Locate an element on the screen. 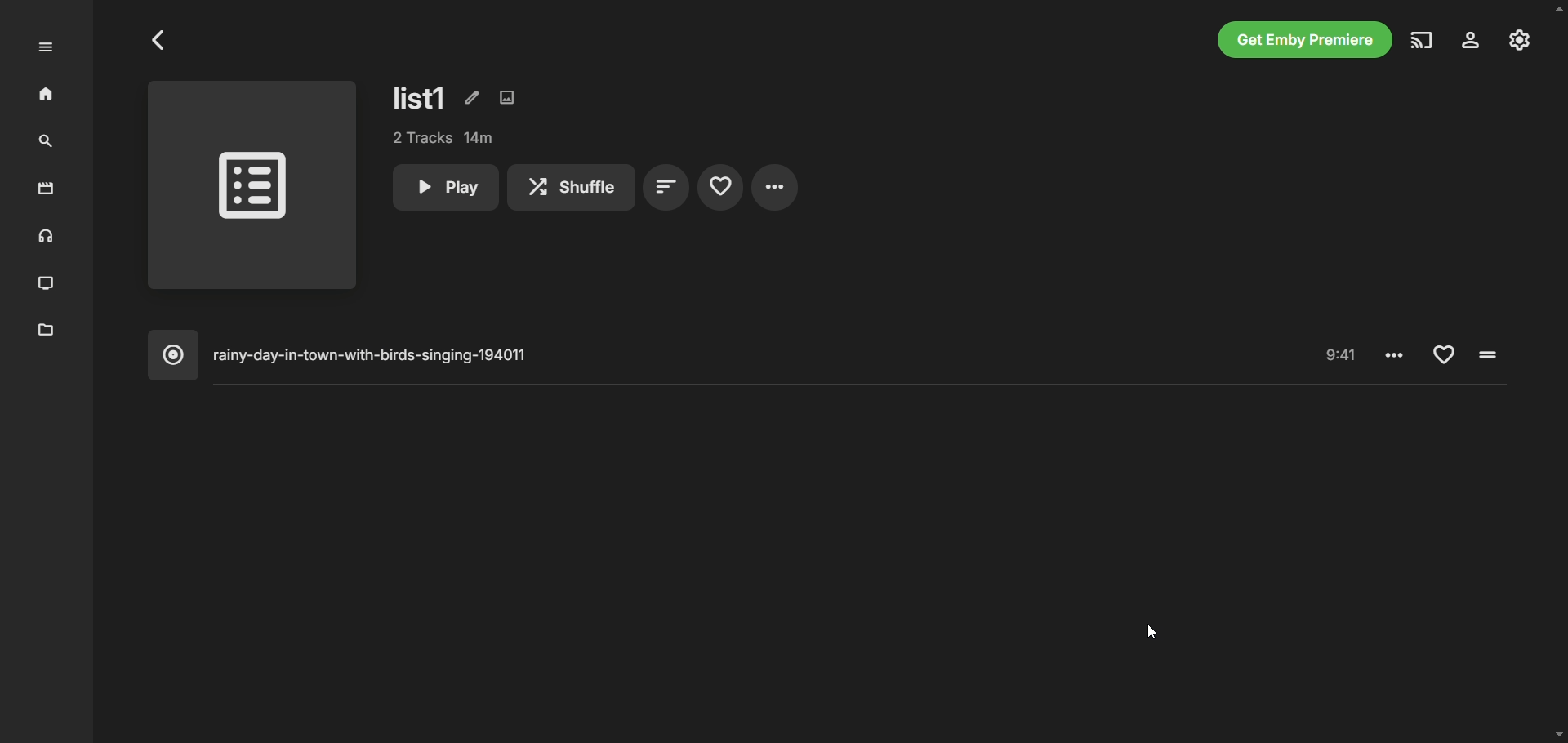  playlist is located at coordinates (253, 189).